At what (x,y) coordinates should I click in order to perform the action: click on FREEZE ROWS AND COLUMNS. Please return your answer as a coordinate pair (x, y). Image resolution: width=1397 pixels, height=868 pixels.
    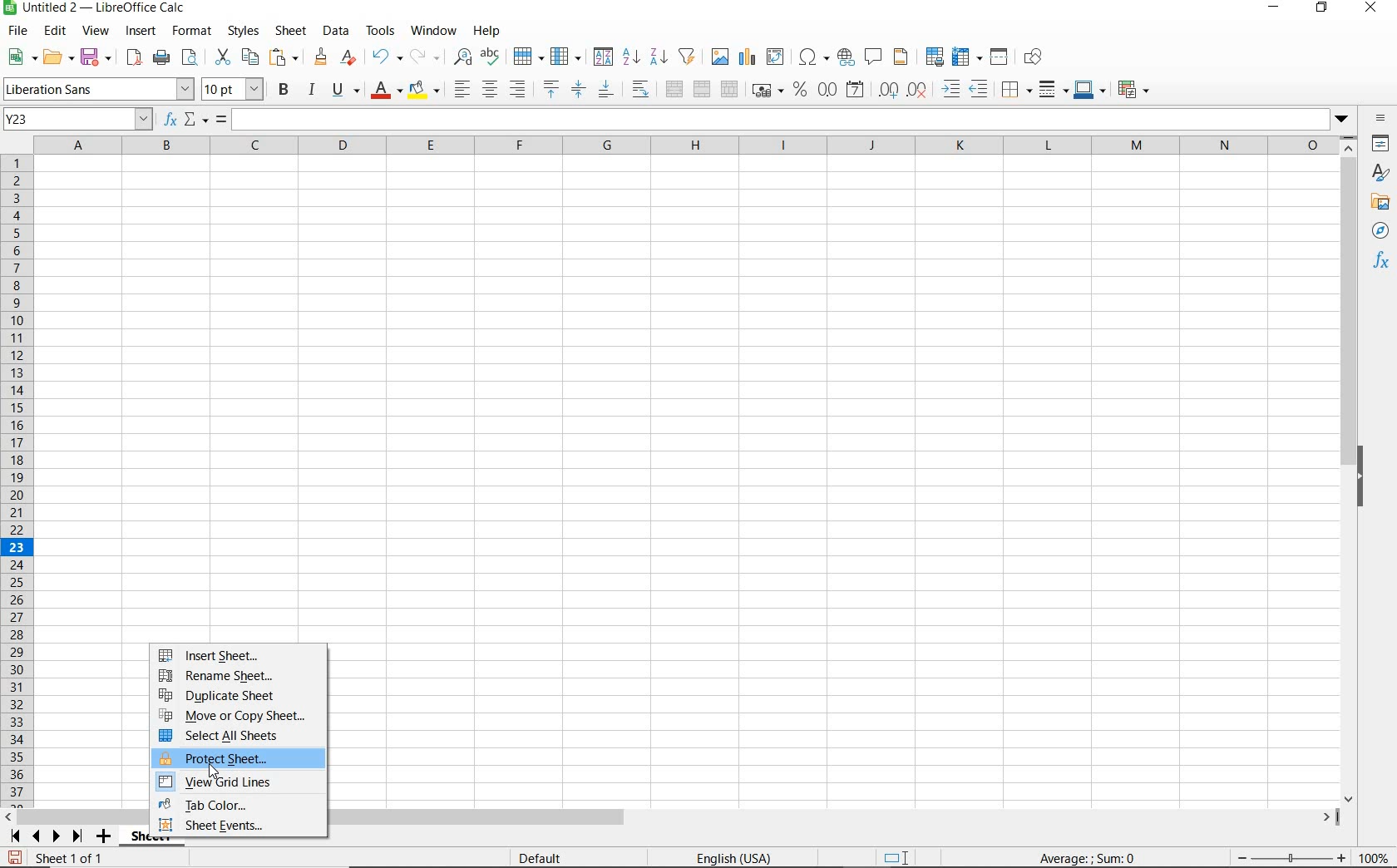
    Looking at the image, I should click on (969, 56).